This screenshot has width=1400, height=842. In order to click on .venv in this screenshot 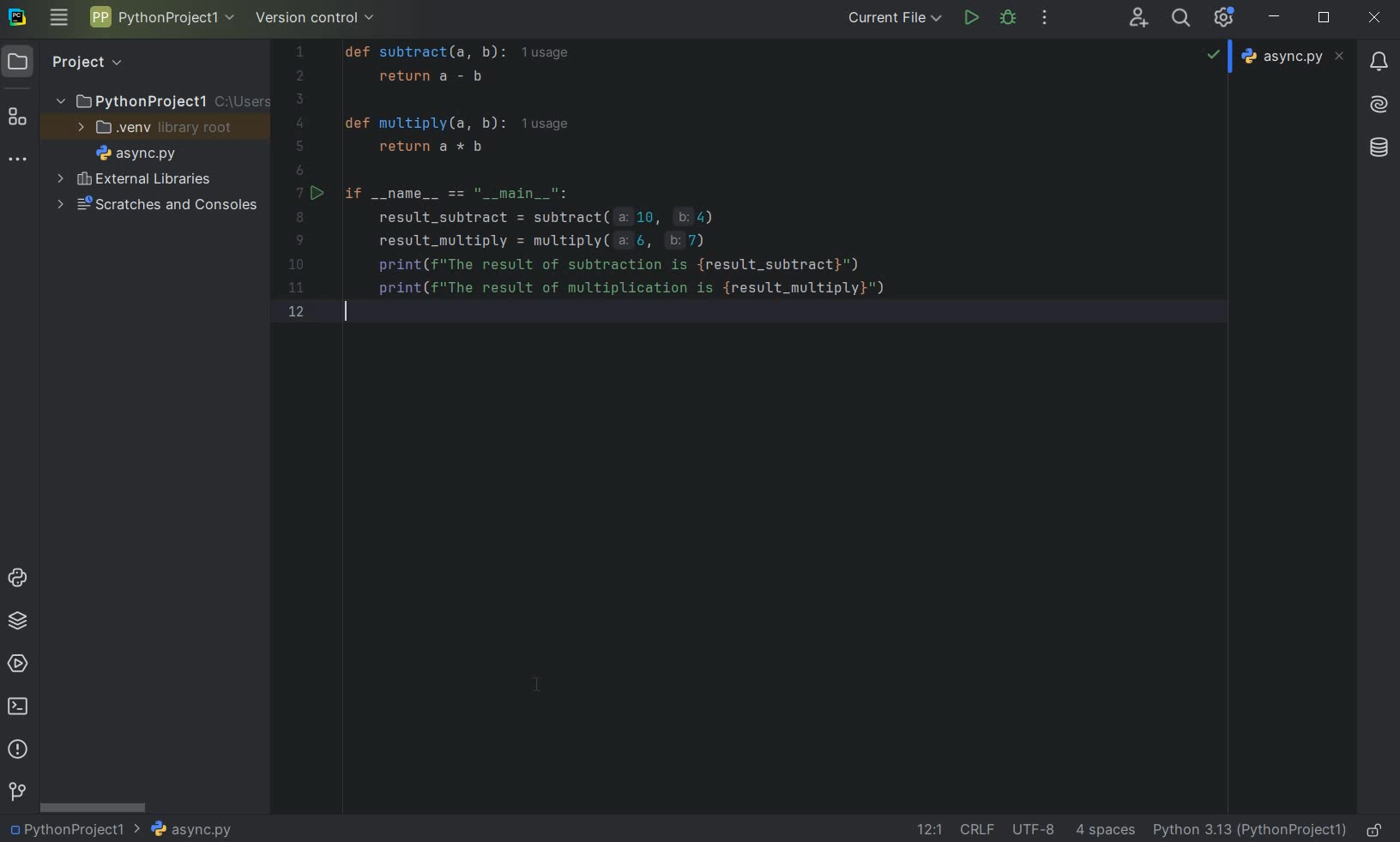, I will do `click(158, 129)`.